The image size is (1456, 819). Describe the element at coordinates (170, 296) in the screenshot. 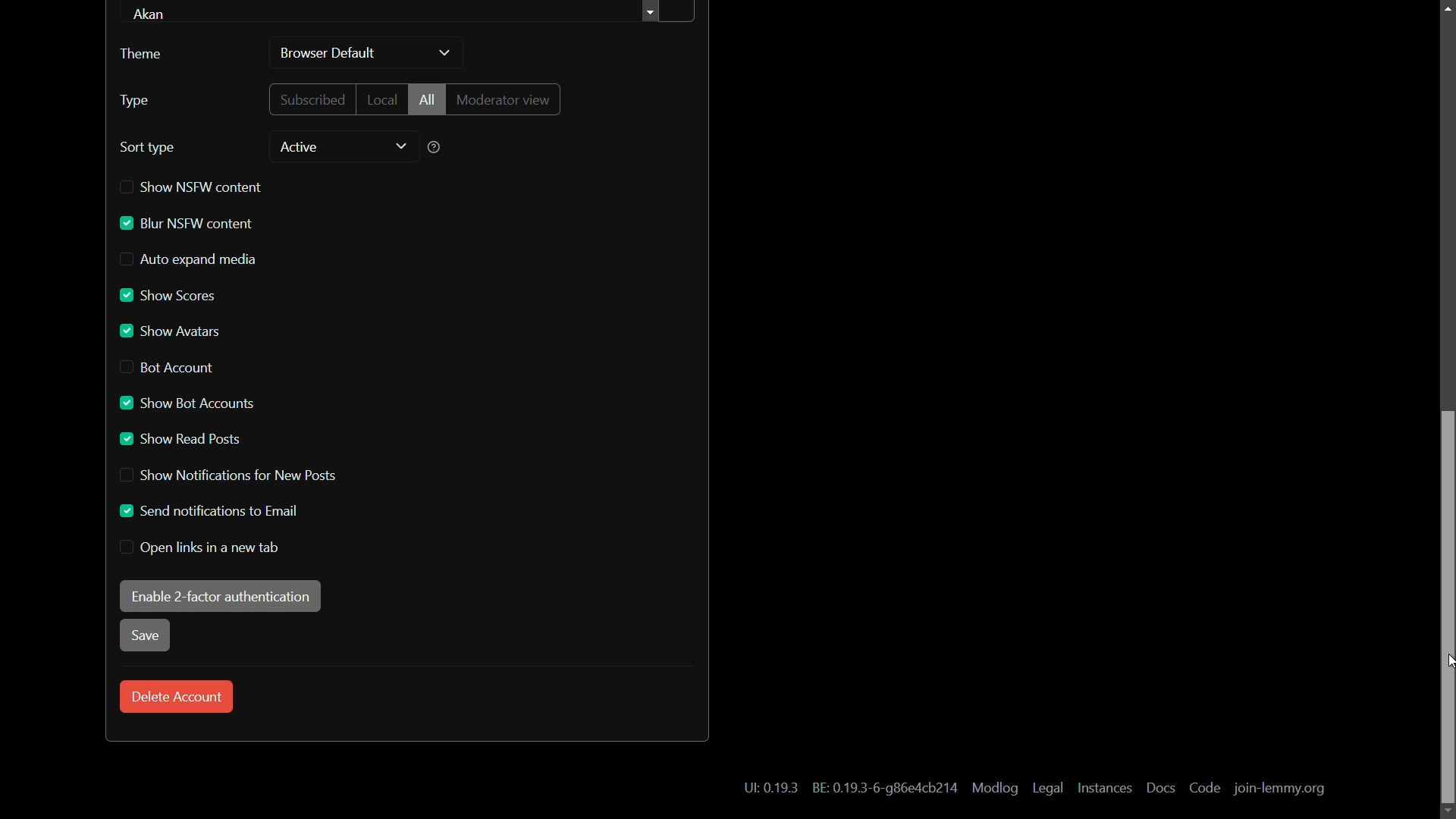

I see `show scores` at that location.